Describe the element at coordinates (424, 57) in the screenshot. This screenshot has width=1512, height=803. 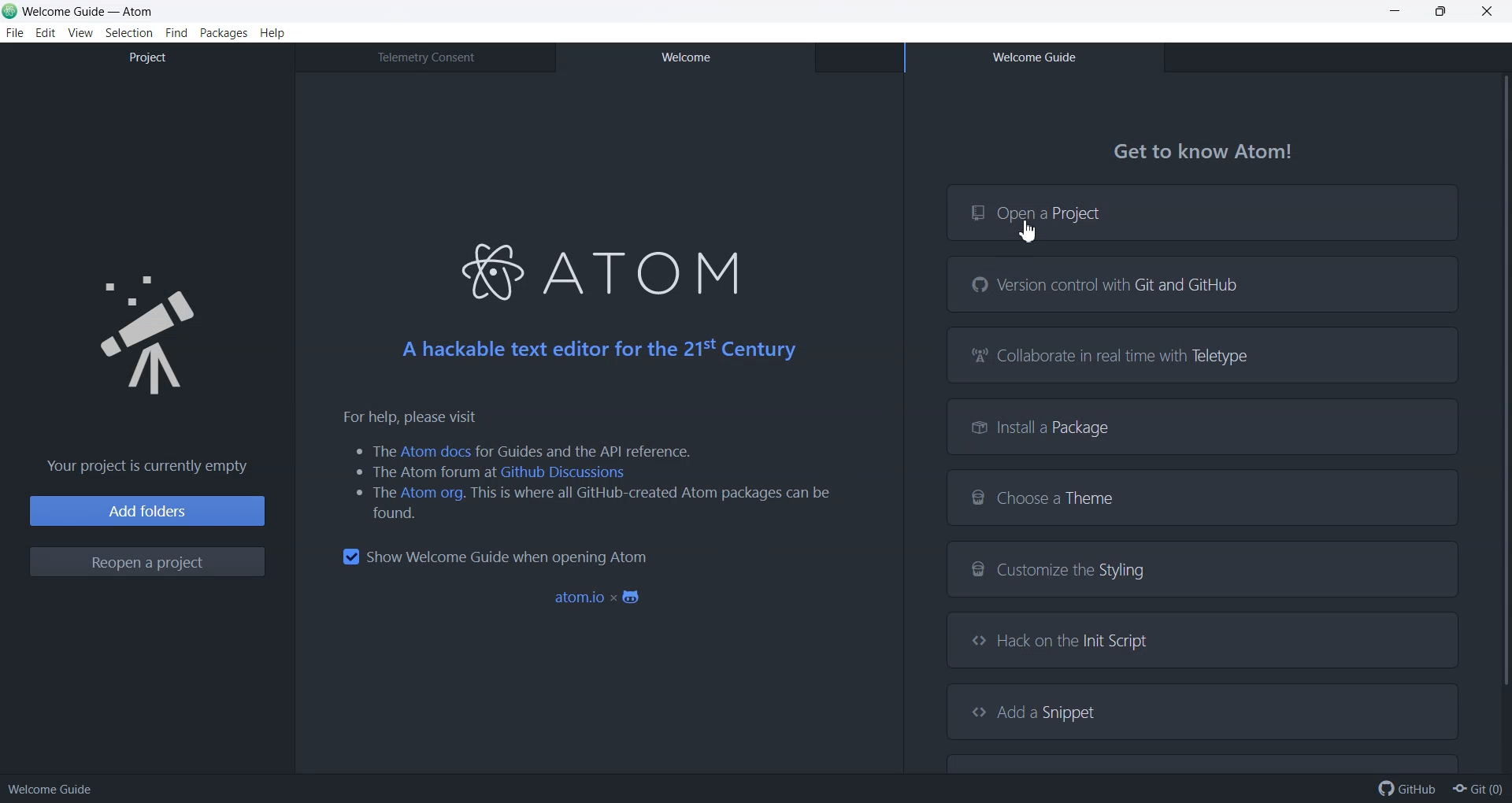
I see `Telemetry Consent` at that location.